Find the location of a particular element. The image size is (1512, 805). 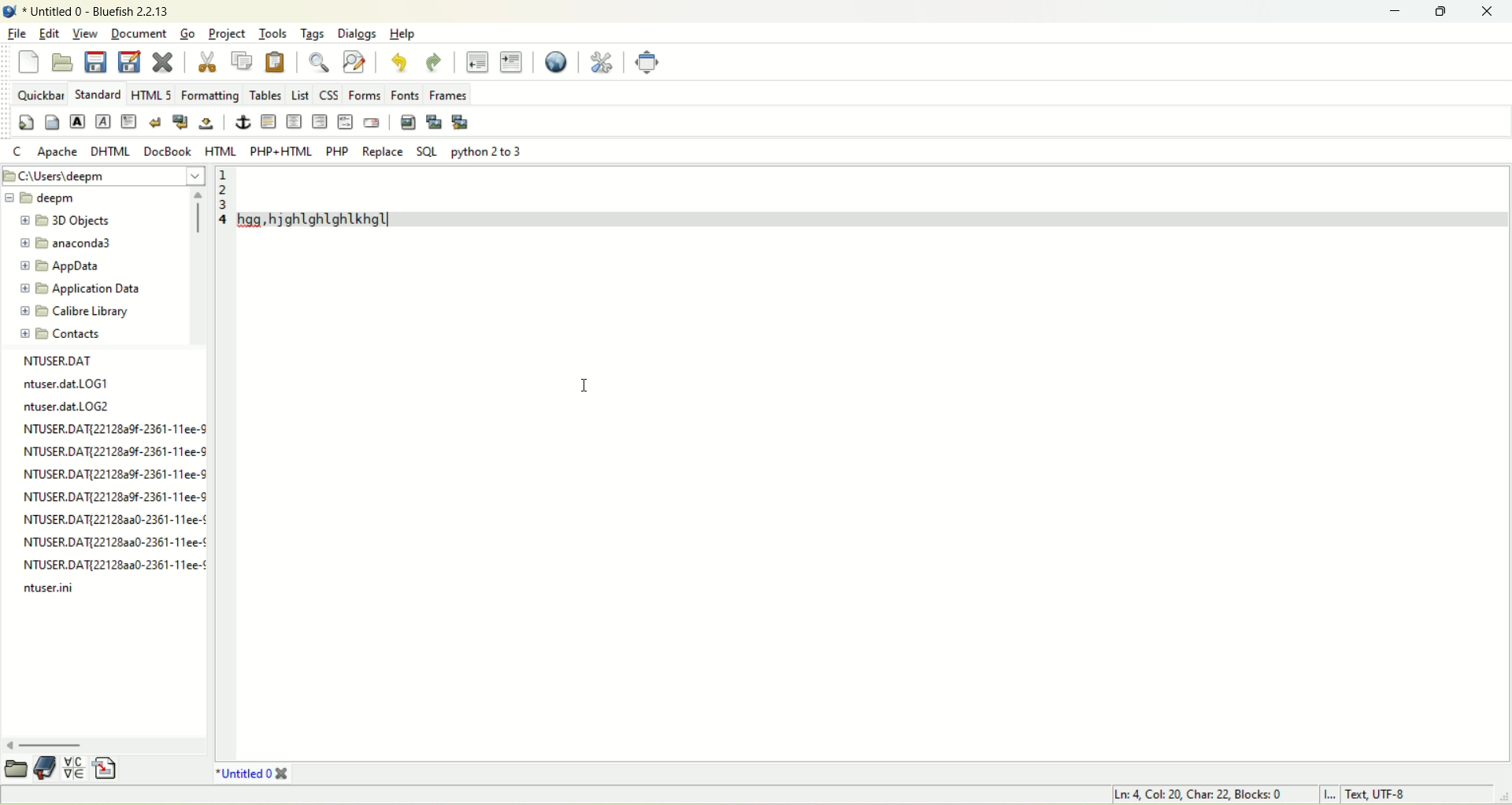

body is located at coordinates (51, 121).